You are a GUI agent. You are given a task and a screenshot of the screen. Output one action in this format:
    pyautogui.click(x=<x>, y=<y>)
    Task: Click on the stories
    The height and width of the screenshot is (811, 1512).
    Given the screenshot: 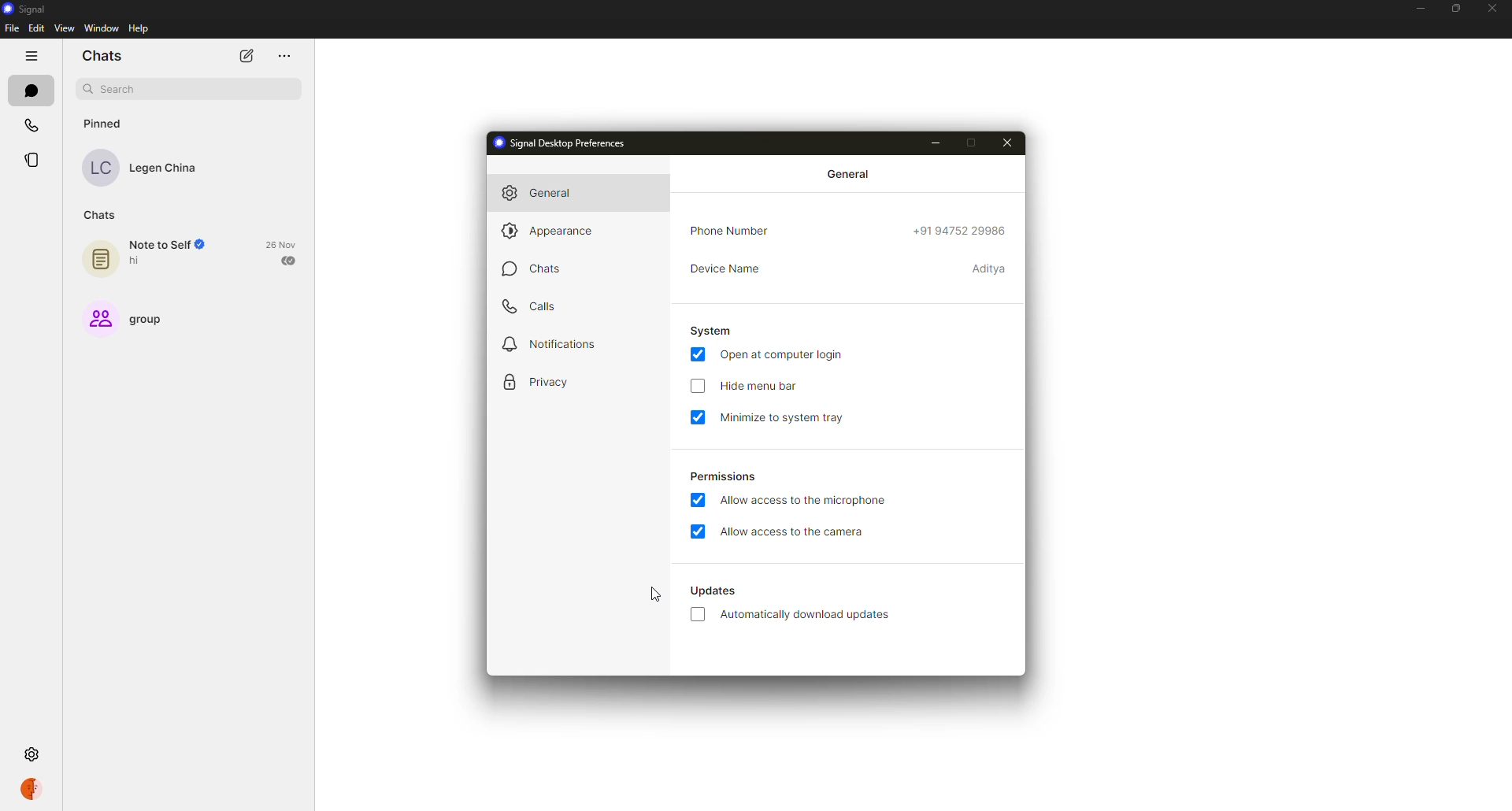 What is the action you would take?
    pyautogui.click(x=34, y=158)
    